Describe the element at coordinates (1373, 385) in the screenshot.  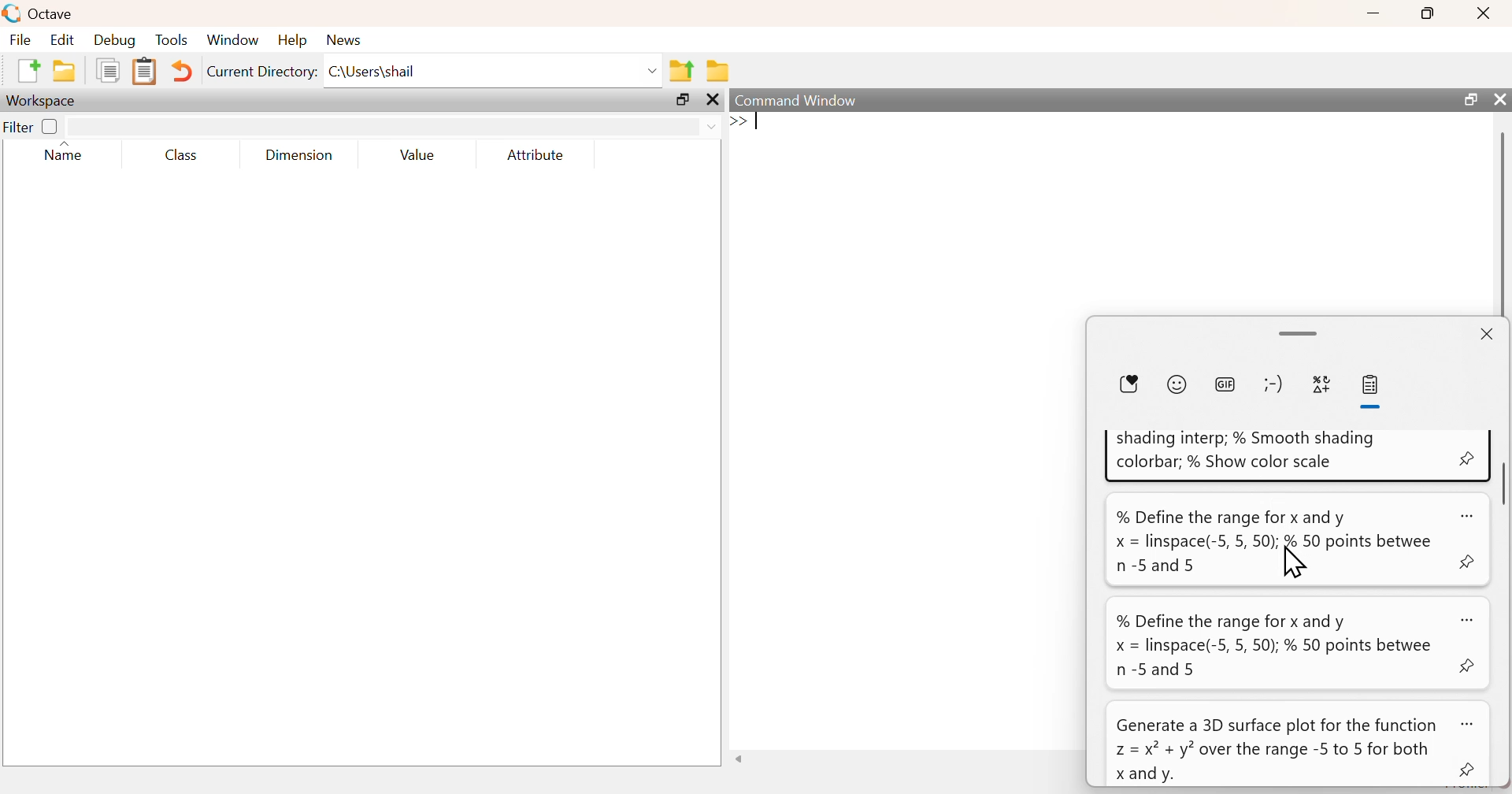
I see `clipboard` at that location.